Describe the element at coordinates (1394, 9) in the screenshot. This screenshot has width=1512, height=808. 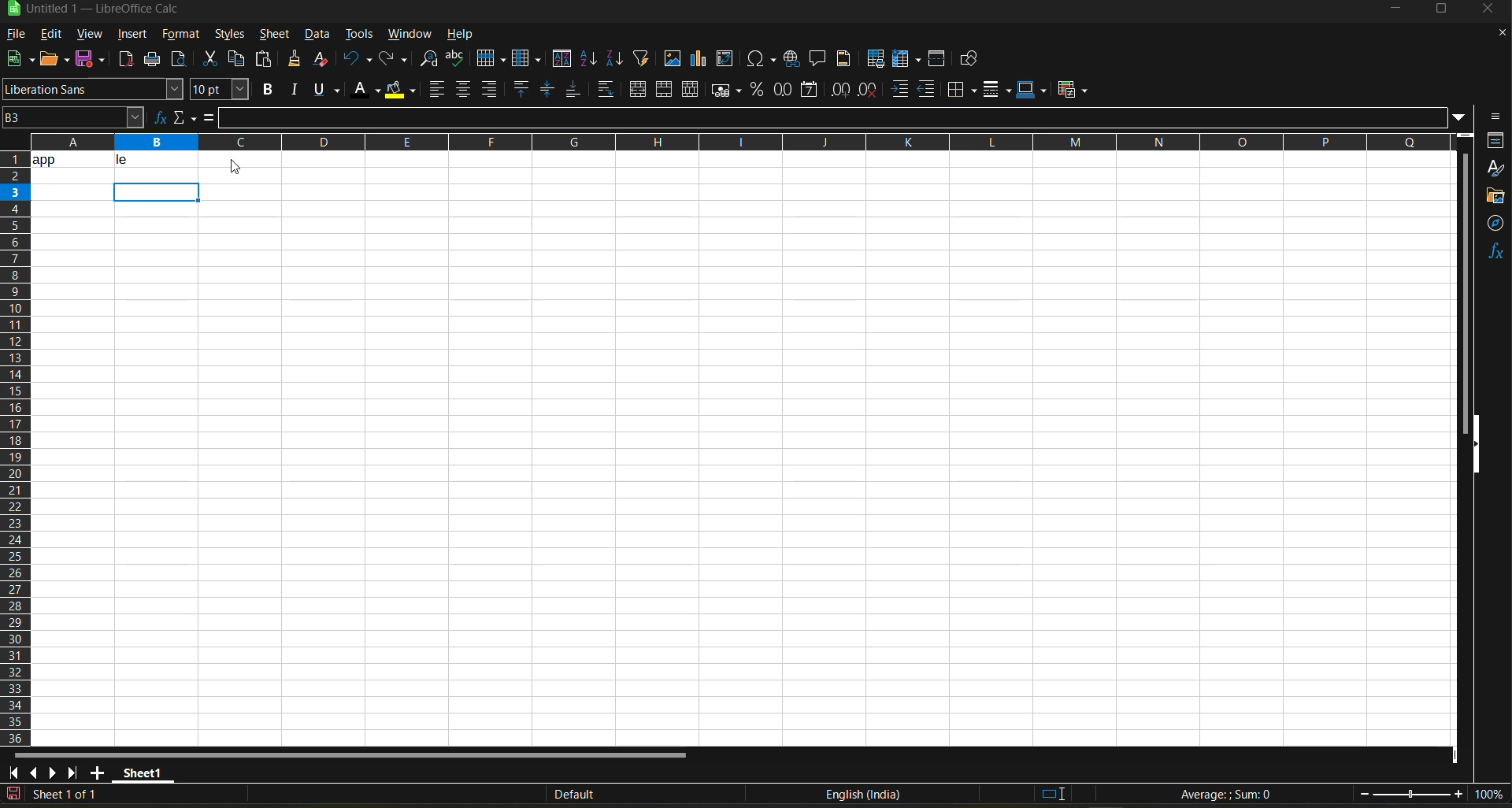
I see `minimize` at that location.